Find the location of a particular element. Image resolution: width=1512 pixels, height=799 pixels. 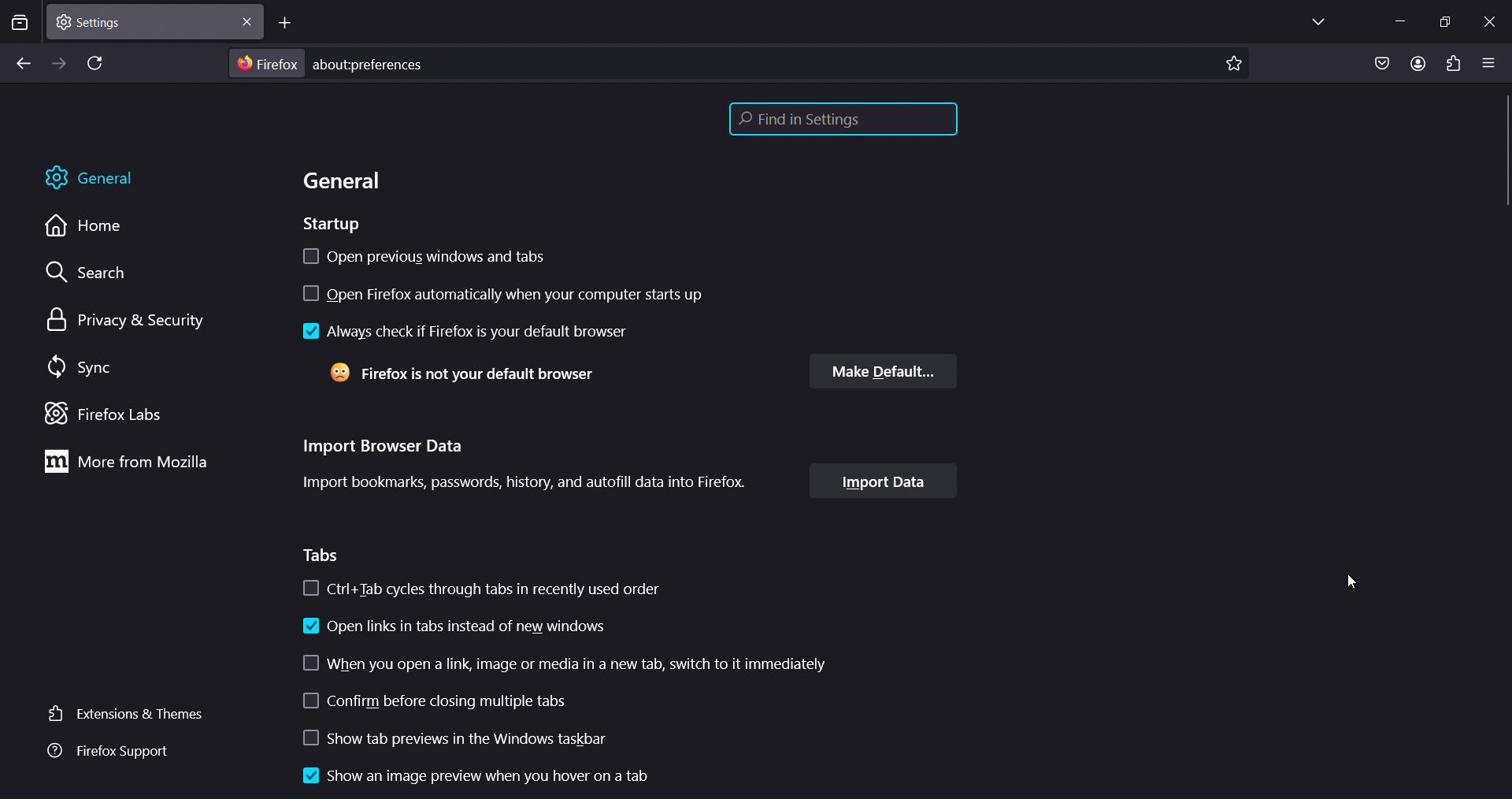

list all tabs is located at coordinates (1325, 22).